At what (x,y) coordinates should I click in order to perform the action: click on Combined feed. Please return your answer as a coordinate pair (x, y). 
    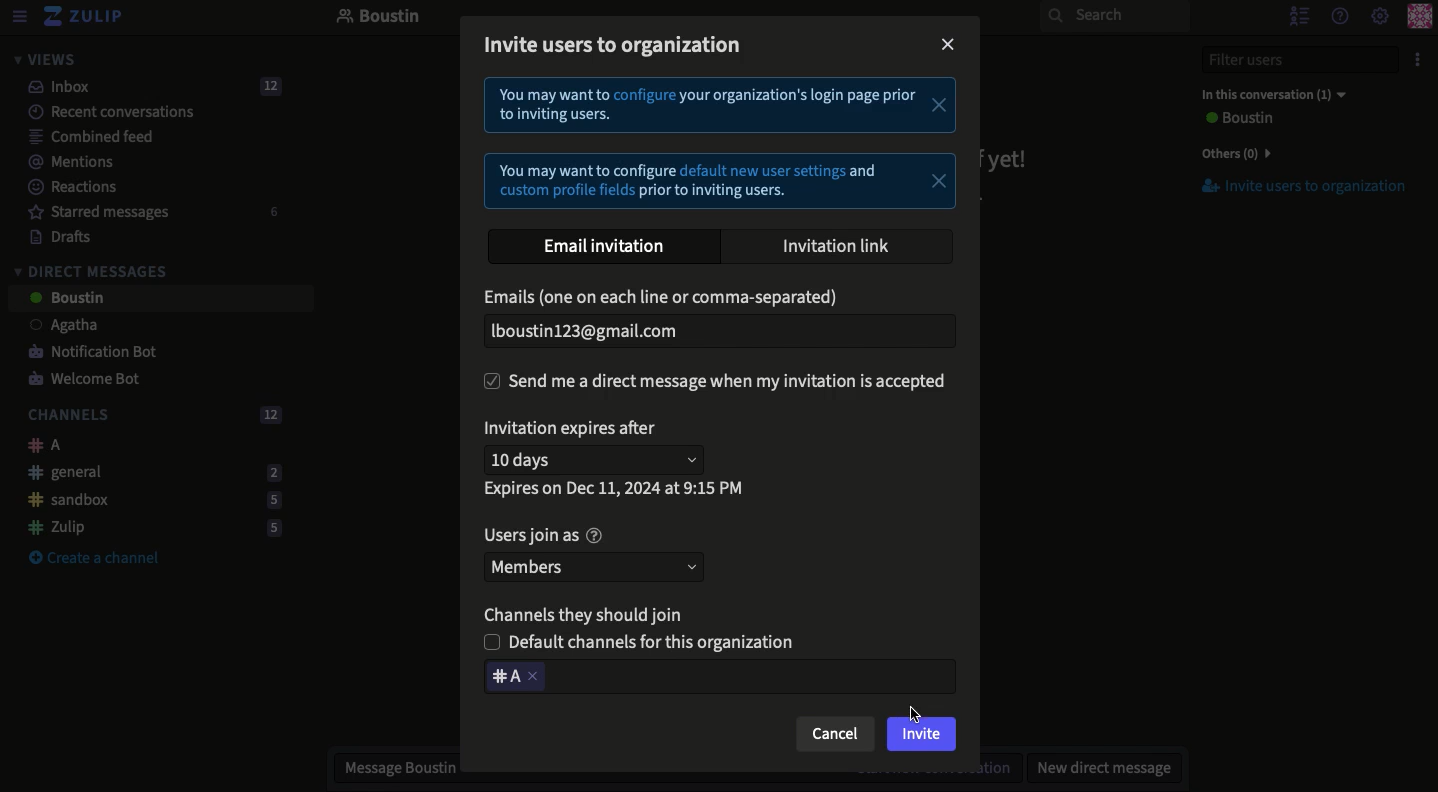
    Looking at the image, I should click on (80, 136).